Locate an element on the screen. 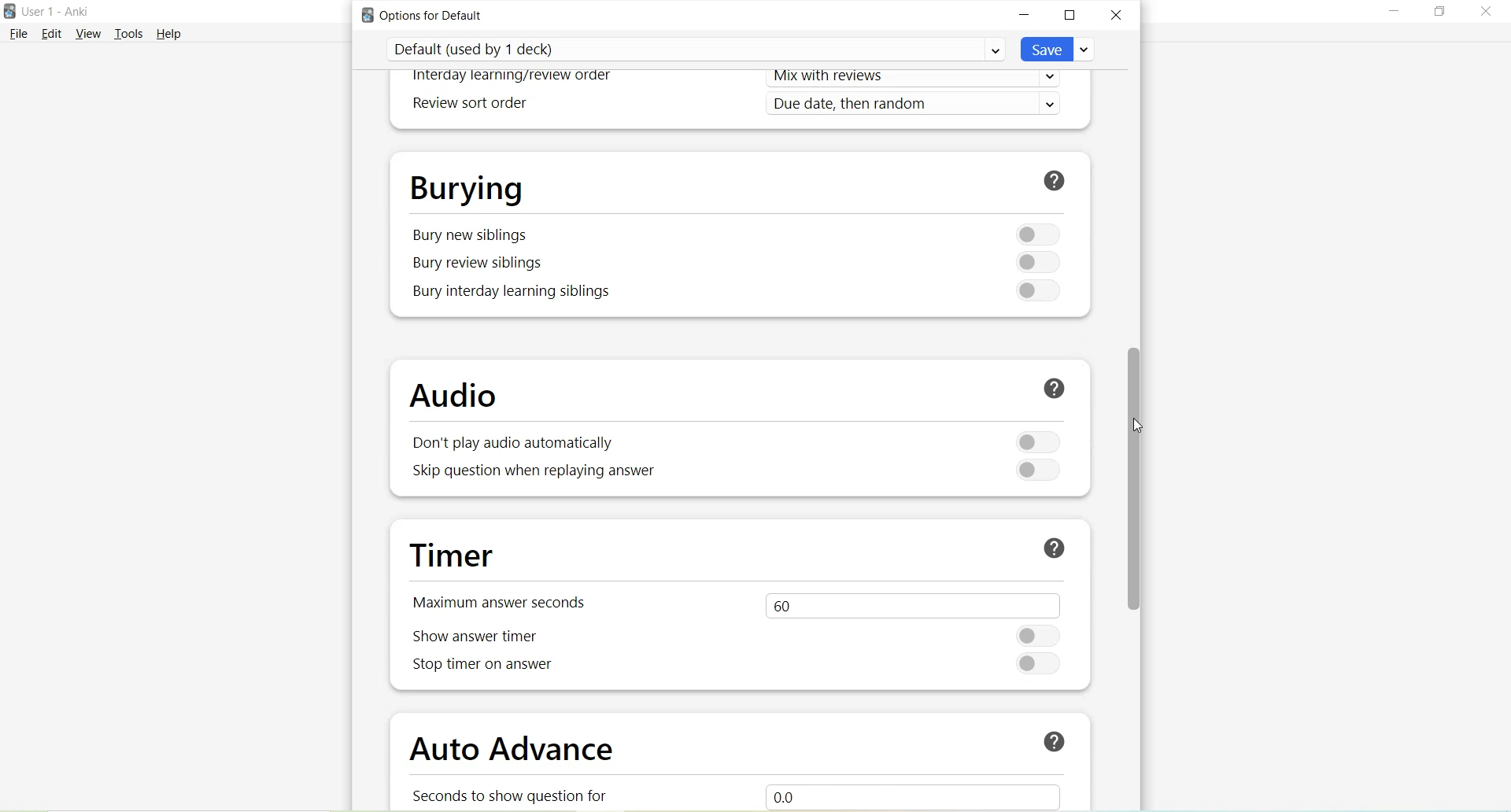 The height and width of the screenshot is (812, 1511). Skip question when replaying answer is located at coordinates (536, 472).